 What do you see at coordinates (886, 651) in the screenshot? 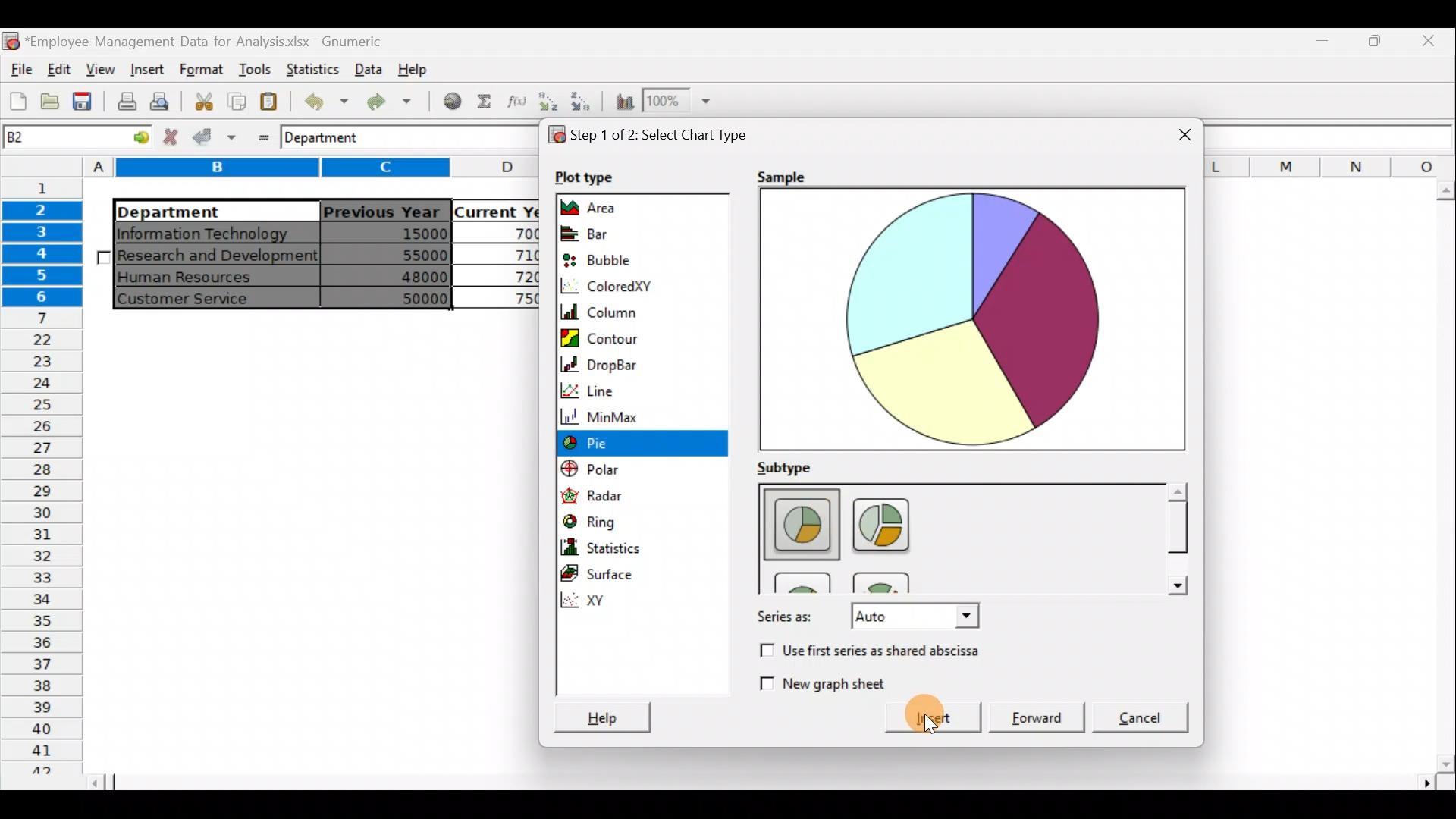
I see `Use first series as shared abscissa` at bounding box center [886, 651].